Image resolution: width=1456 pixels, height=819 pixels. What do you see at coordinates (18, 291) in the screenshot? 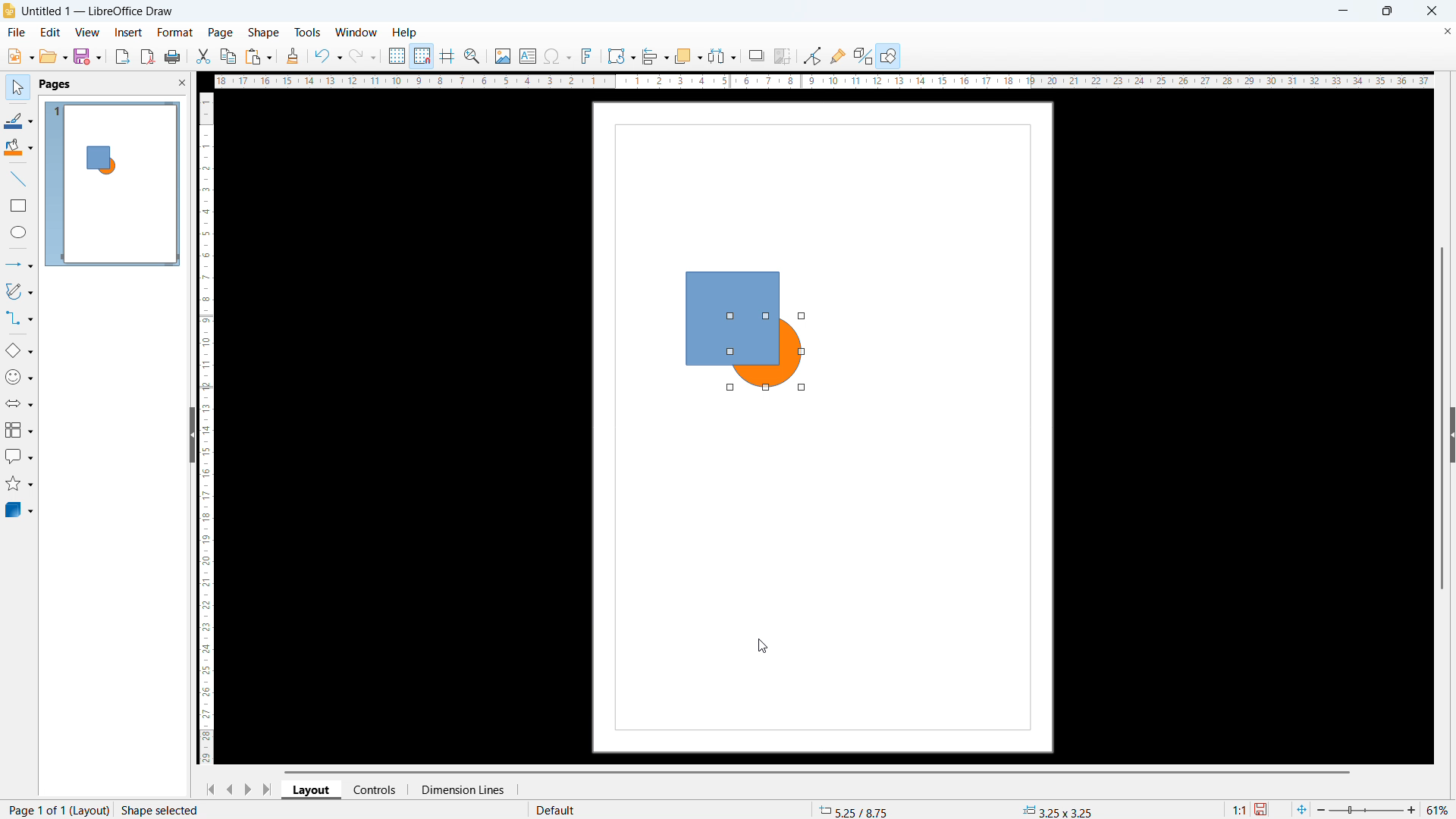
I see `Curves and polygons` at bounding box center [18, 291].